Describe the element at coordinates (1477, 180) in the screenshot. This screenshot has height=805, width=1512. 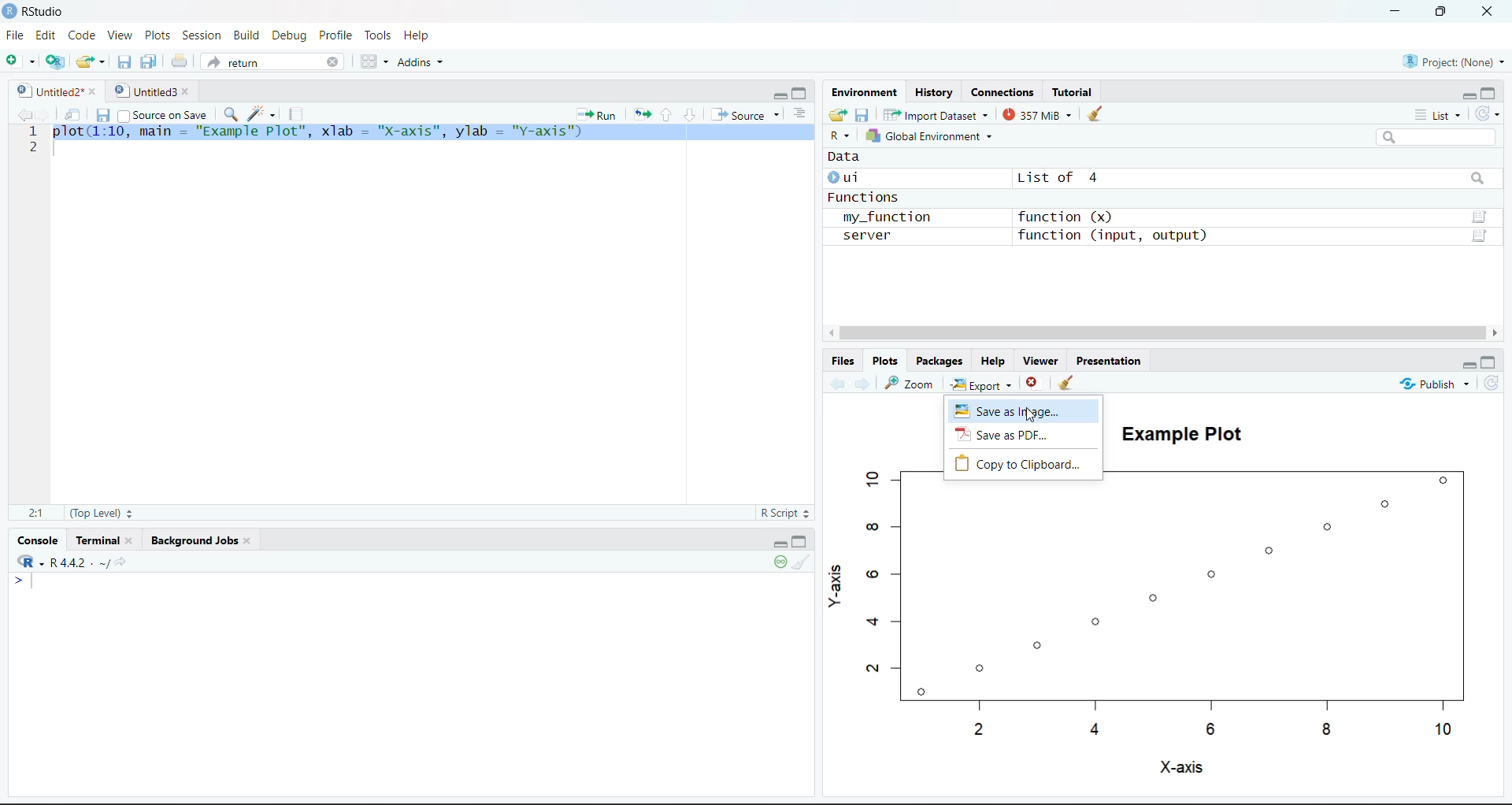
I see `Searchbar` at that location.